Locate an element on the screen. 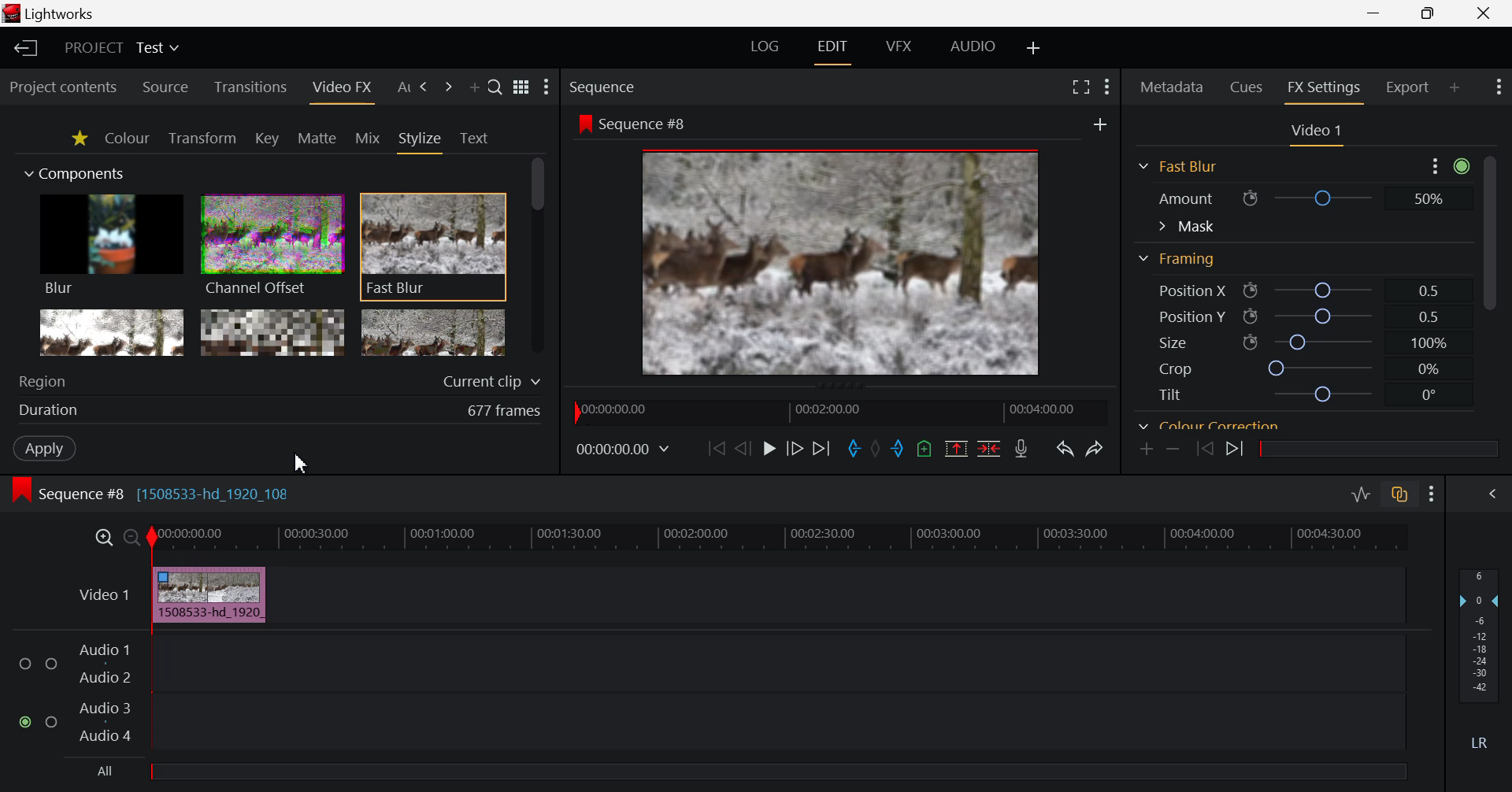 This screenshot has height=792, width=1512. Sequence #8 is located at coordinates (630, 123).